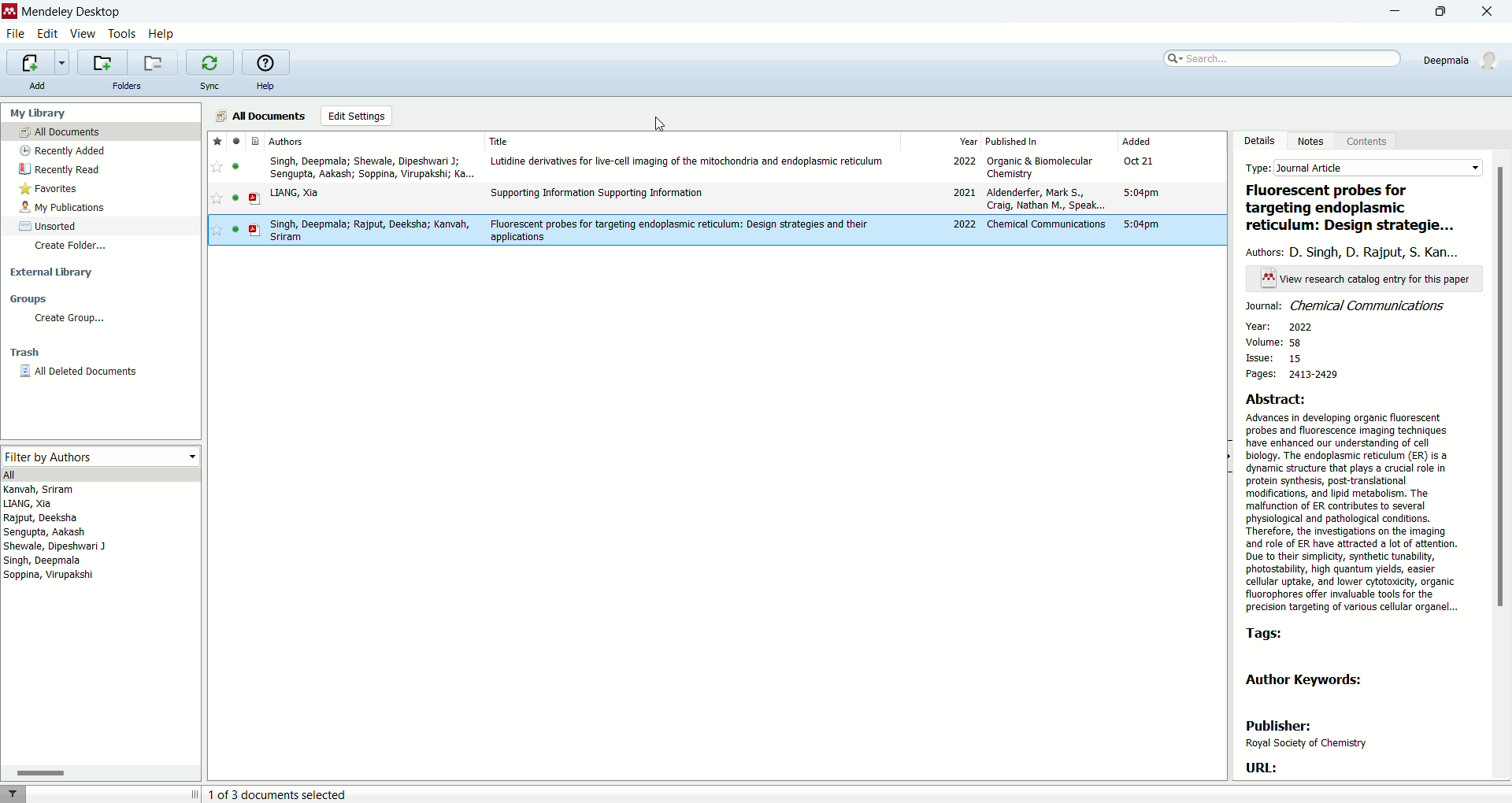 Image resolution: width=1512 pixels, height=803 pixels. I want to click on recently added, so click(65, 150).